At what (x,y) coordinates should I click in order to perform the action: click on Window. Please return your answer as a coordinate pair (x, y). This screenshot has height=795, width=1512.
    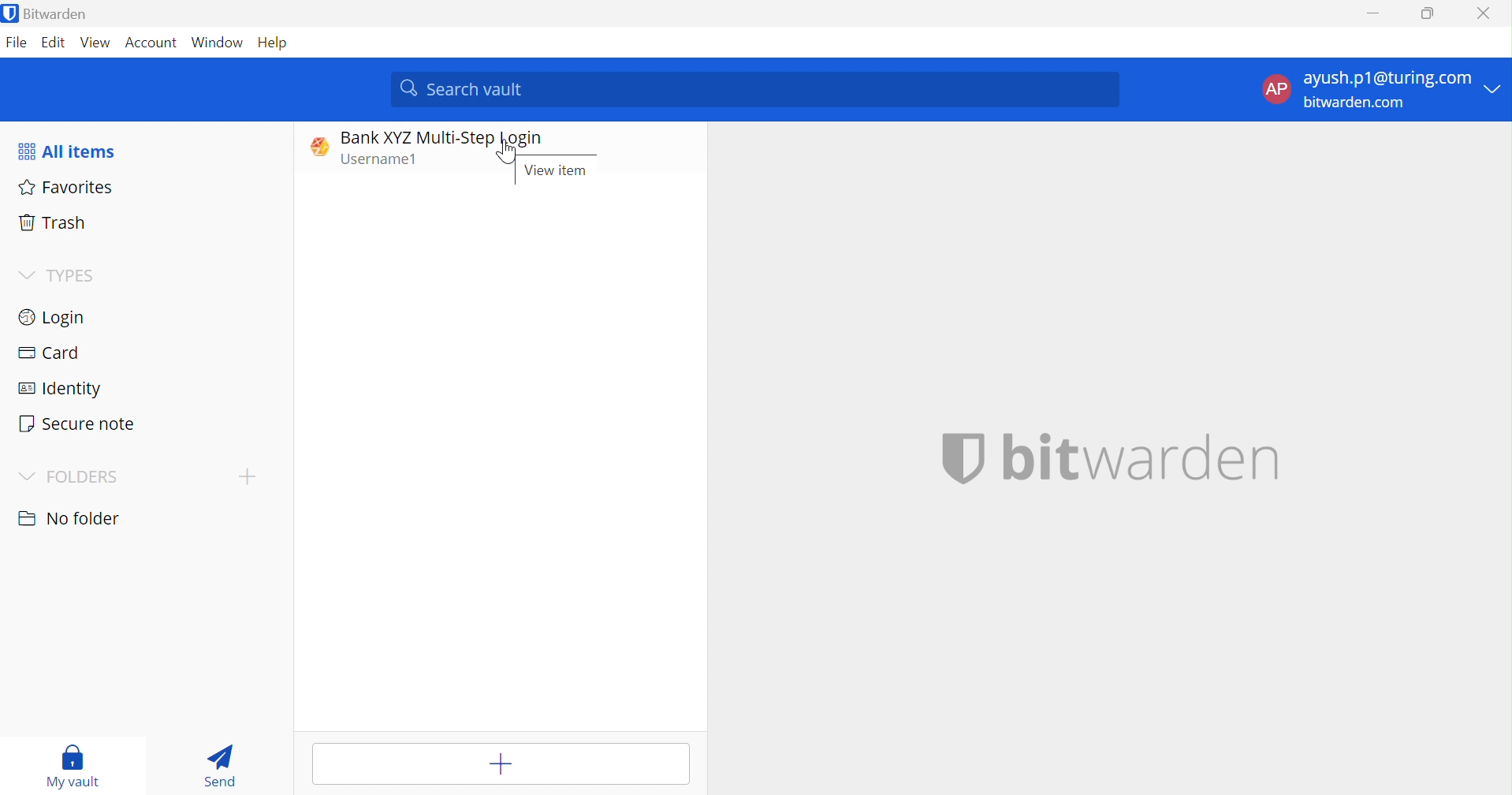
    Looking at the image, I should click on (218, 44).